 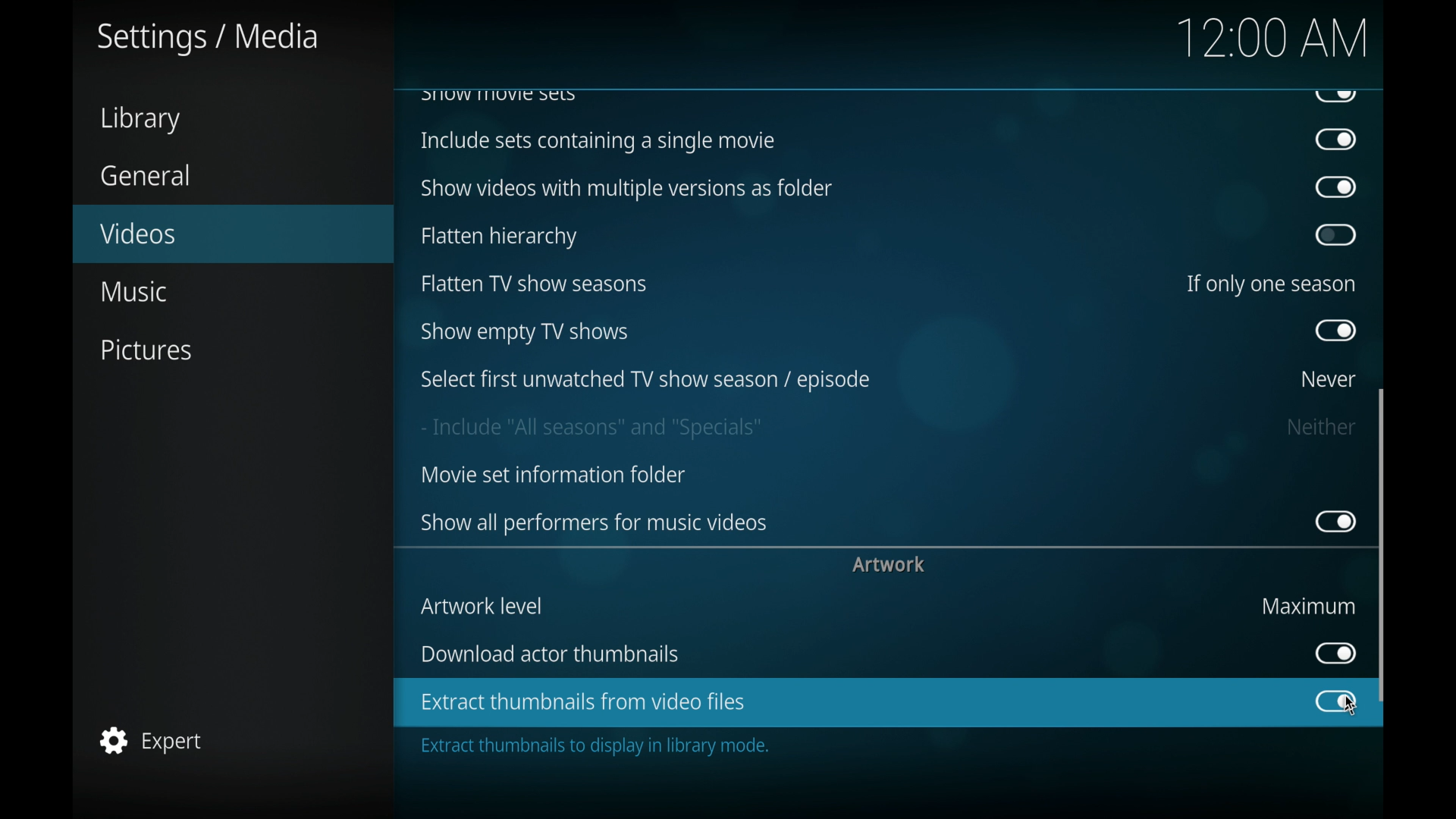 I want to click on scroll box, so click(x=1382, y=547).